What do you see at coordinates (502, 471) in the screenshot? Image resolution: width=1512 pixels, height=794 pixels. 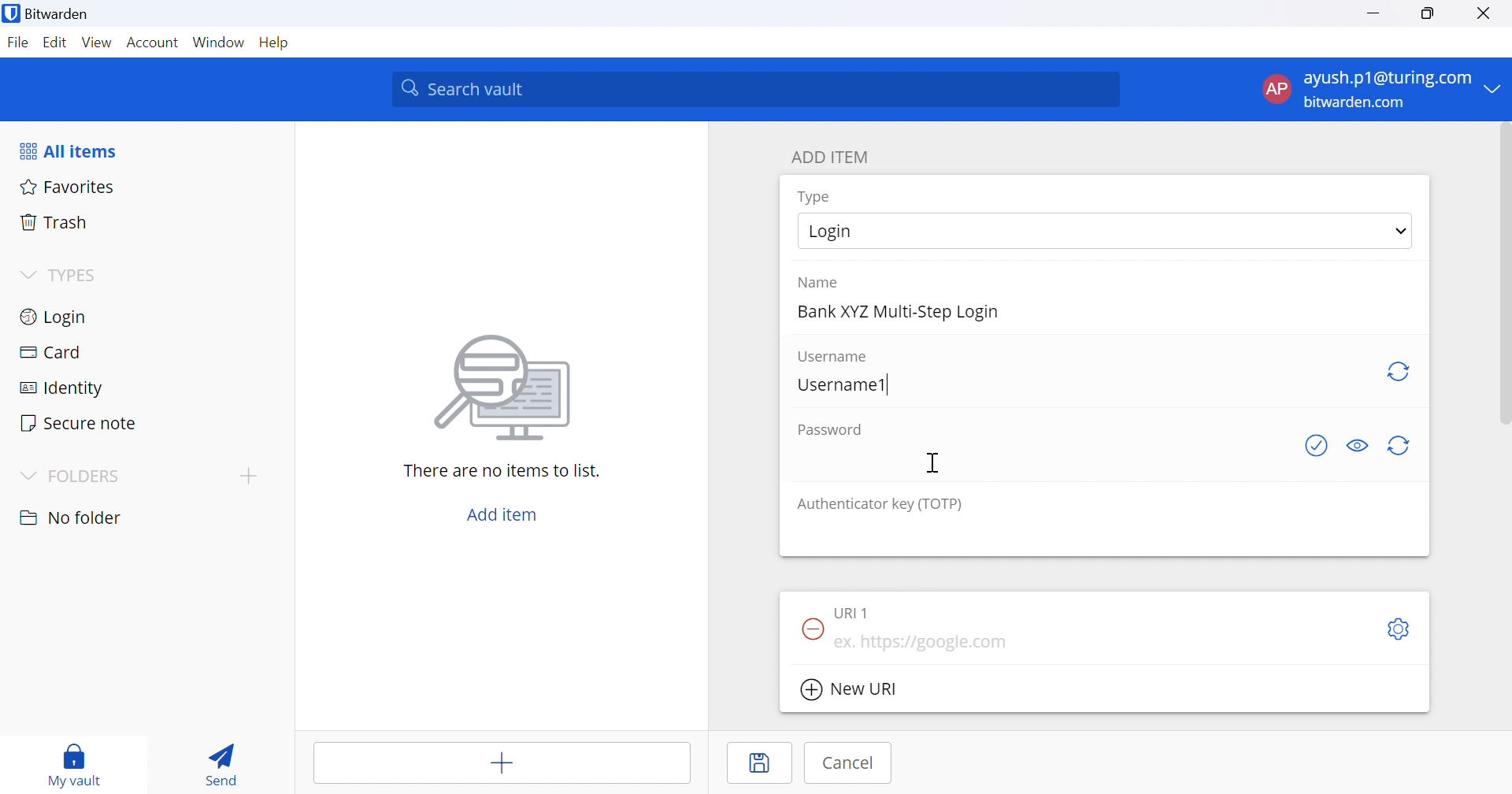 I see `There are no items to list.` at bounding box center [502, 471].